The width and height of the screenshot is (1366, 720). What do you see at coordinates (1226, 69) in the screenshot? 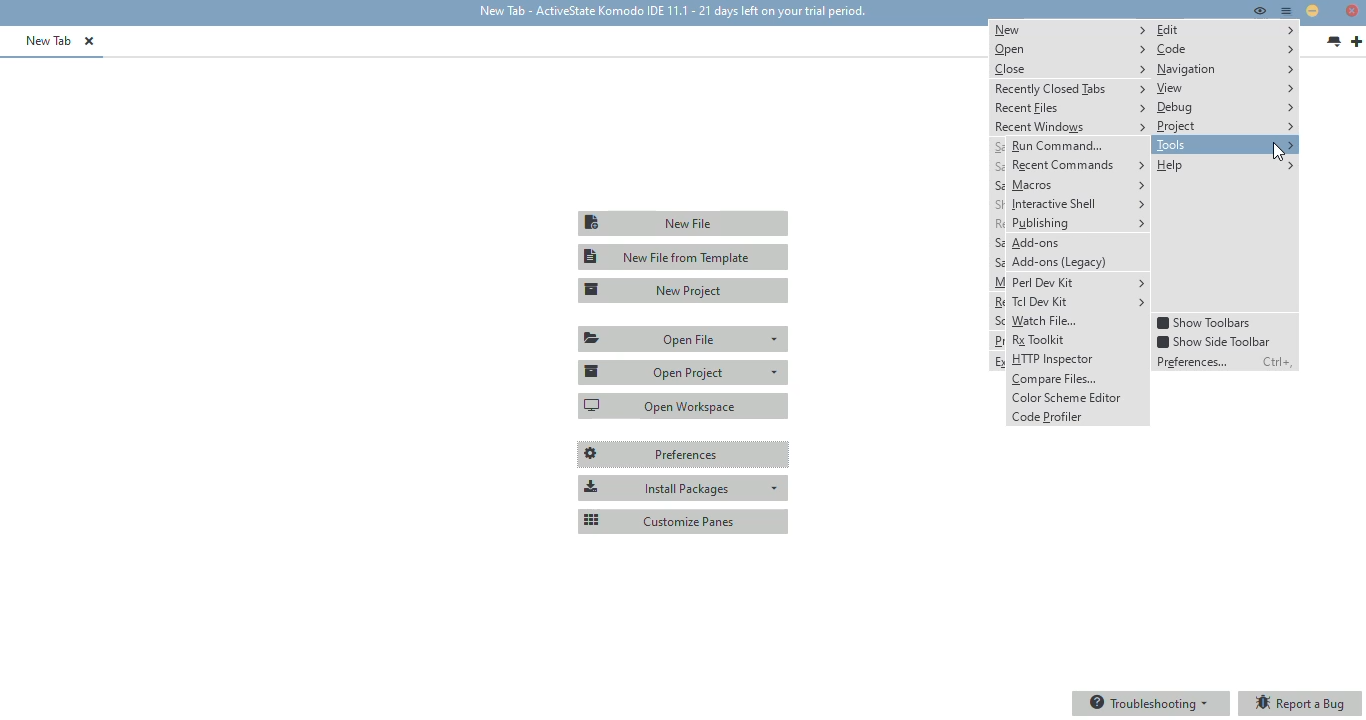
I see `navigation` at bounding box center [1226, 69].